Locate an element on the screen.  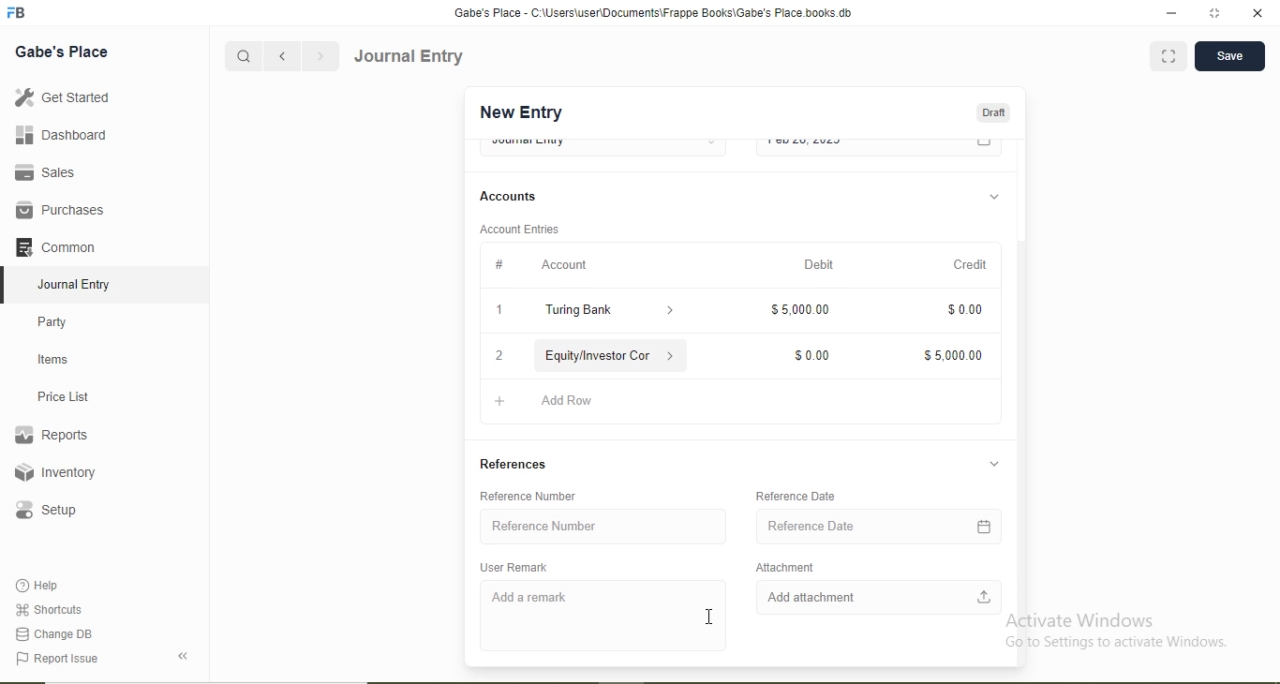
Dropdown is located at coordinates (994, 464).